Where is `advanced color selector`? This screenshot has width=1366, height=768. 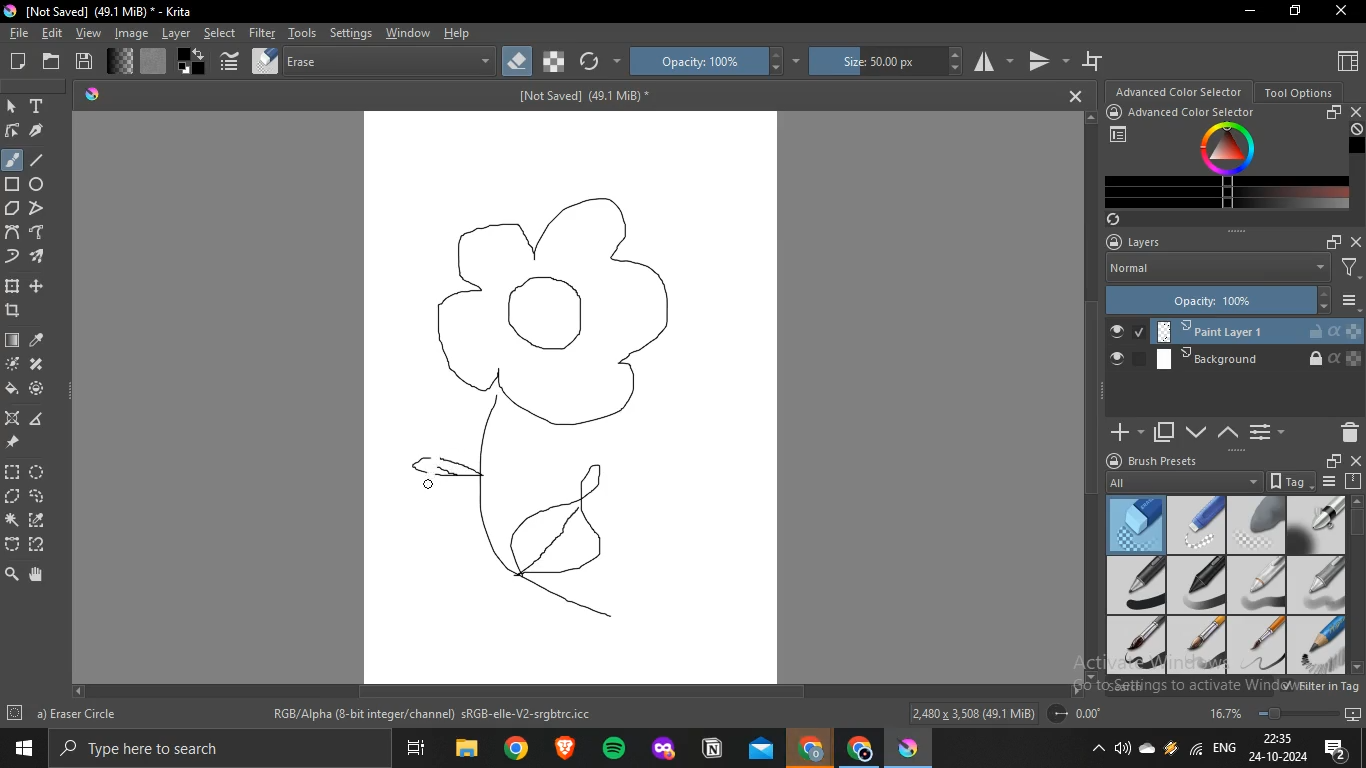
advanced color selector is located at coordinates (1180, 91).